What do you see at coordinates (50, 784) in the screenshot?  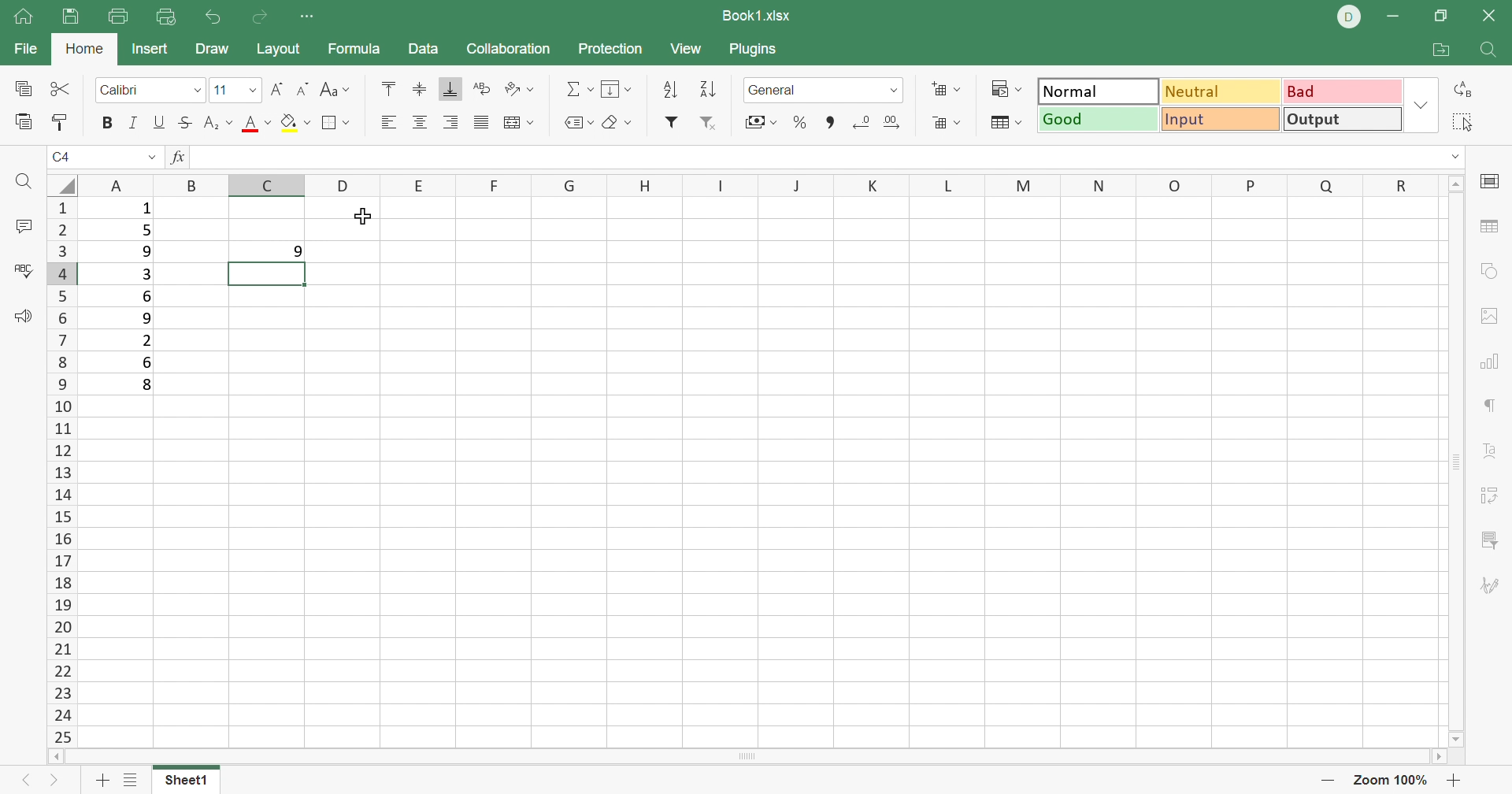 I see `Next` at bounding box center [50, 784].